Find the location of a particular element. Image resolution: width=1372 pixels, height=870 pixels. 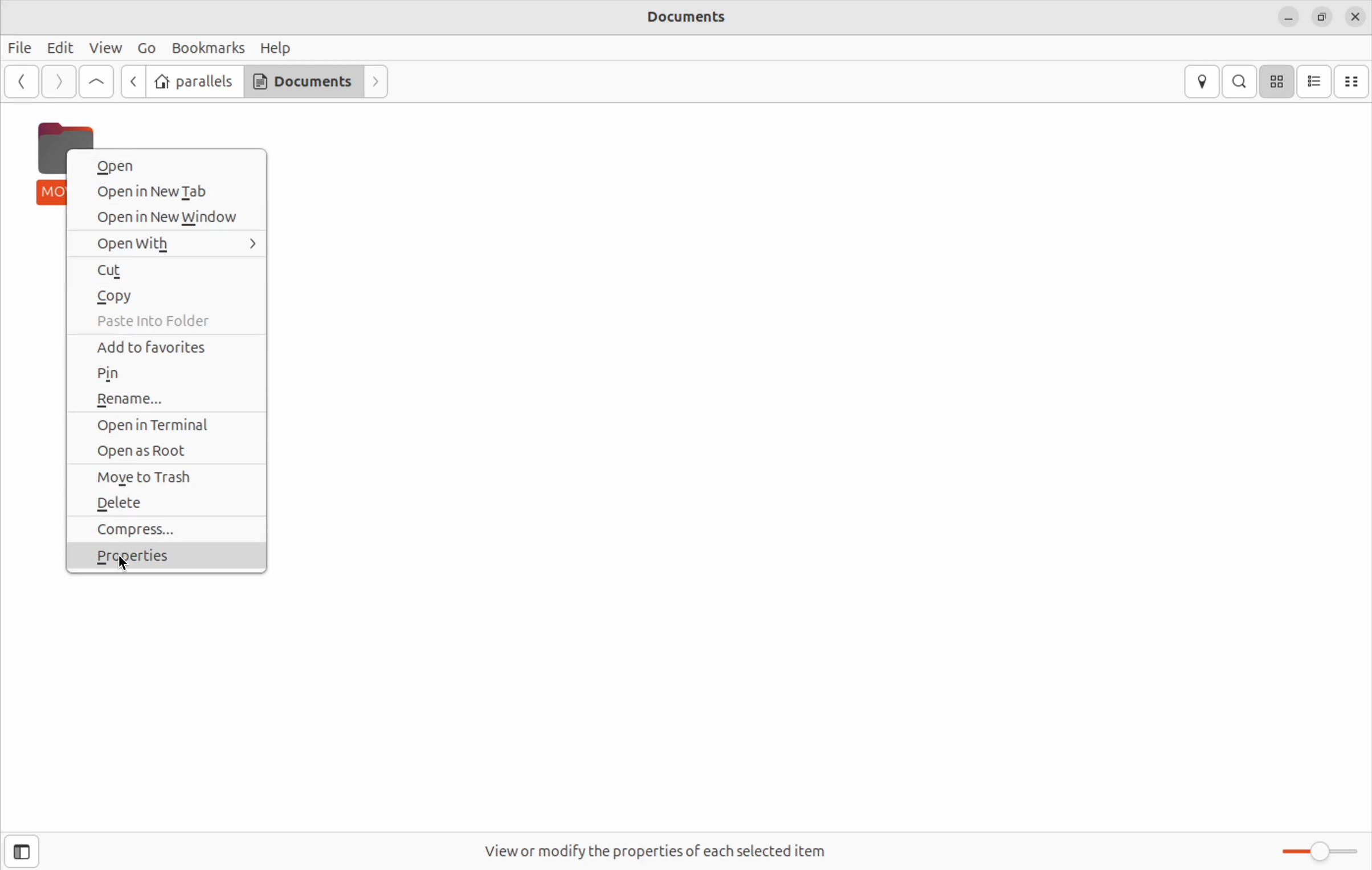

Rename is located at coordinates (166, 399).